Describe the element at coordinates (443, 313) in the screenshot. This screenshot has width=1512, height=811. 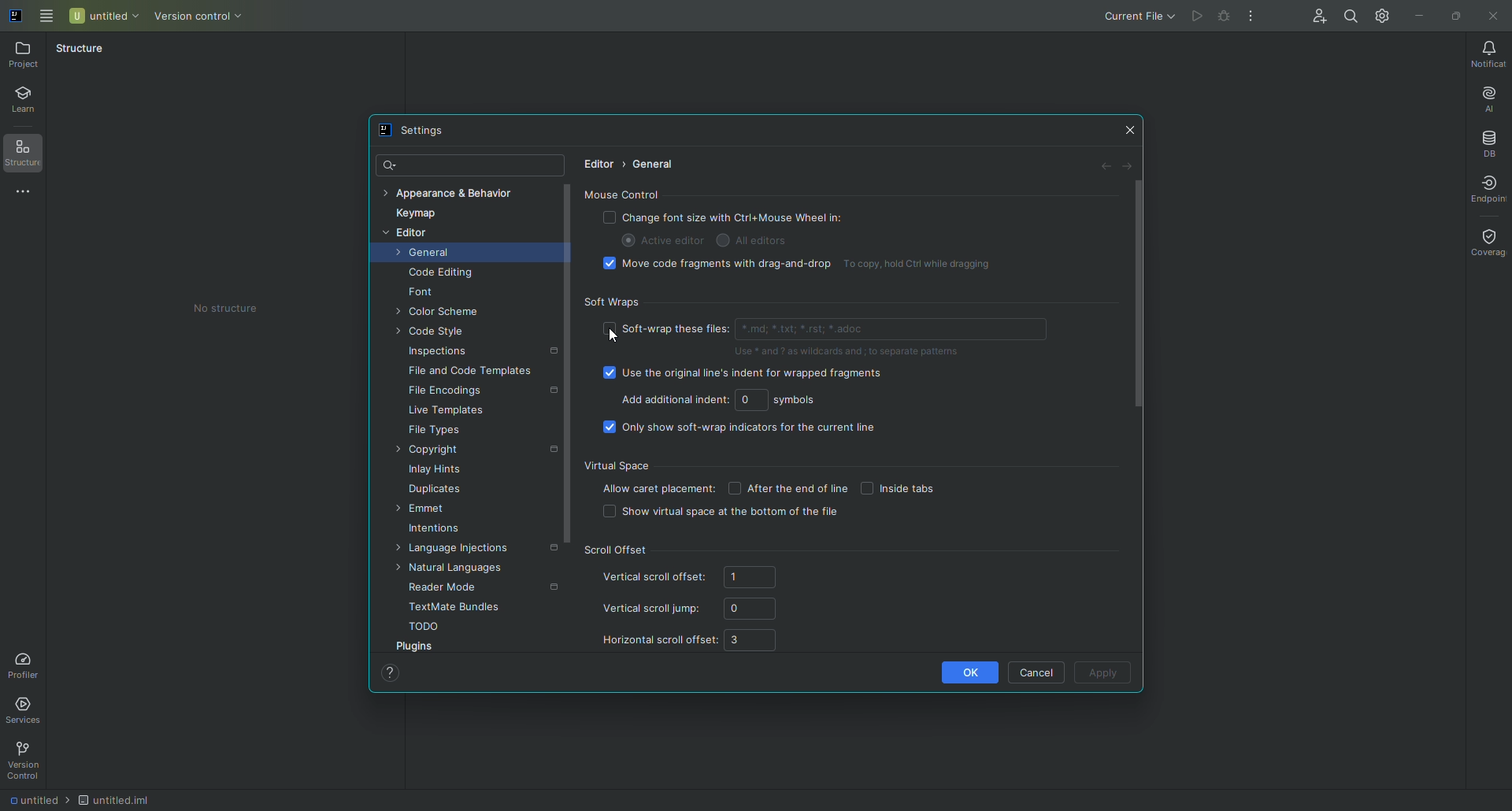
I see `Color Scheme` at that location.